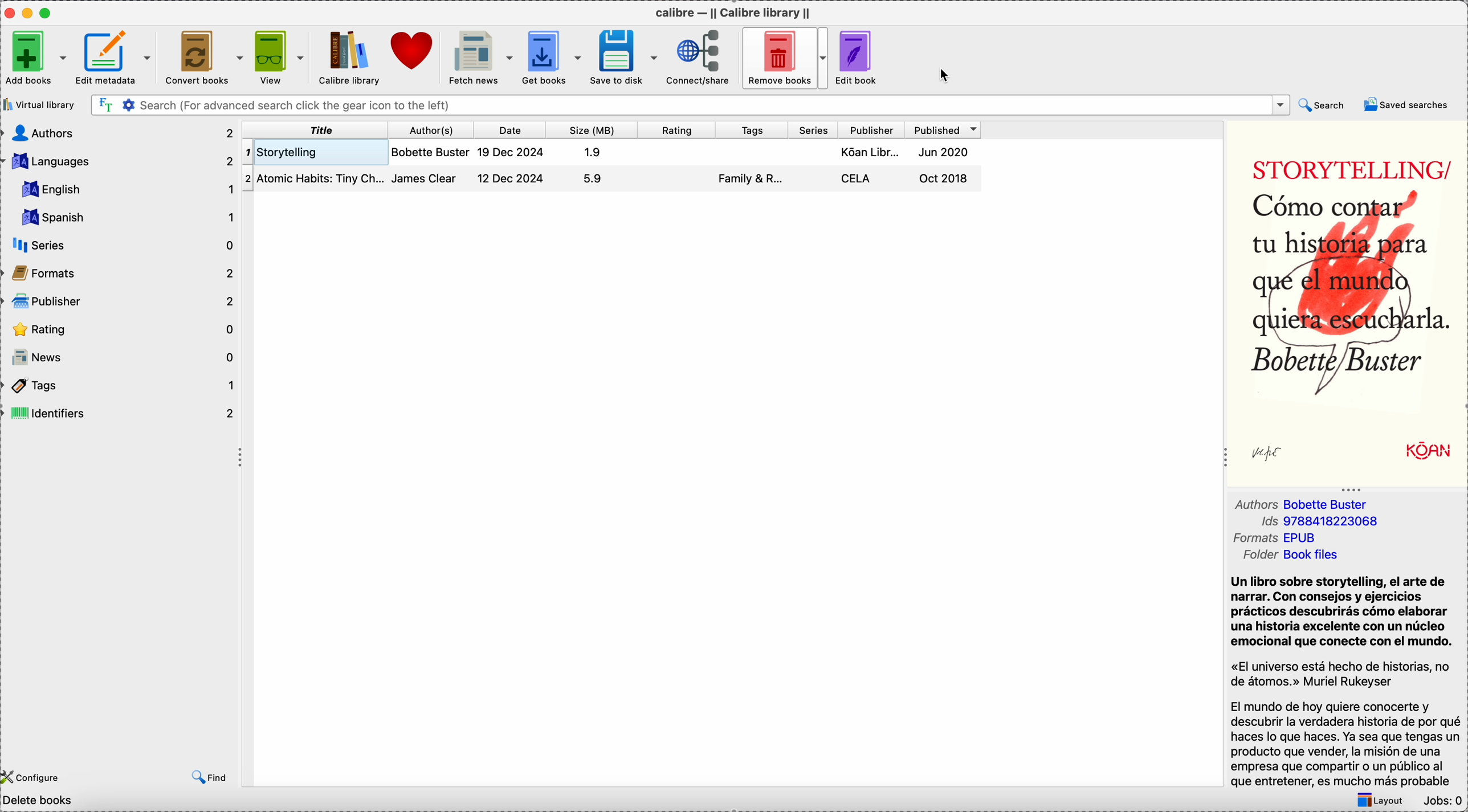 The height and width of the screenshot is (812, 1468). Describe the element at coordinates (1442, 802) in the screenshot. I see `Jobs: 0` at that location.